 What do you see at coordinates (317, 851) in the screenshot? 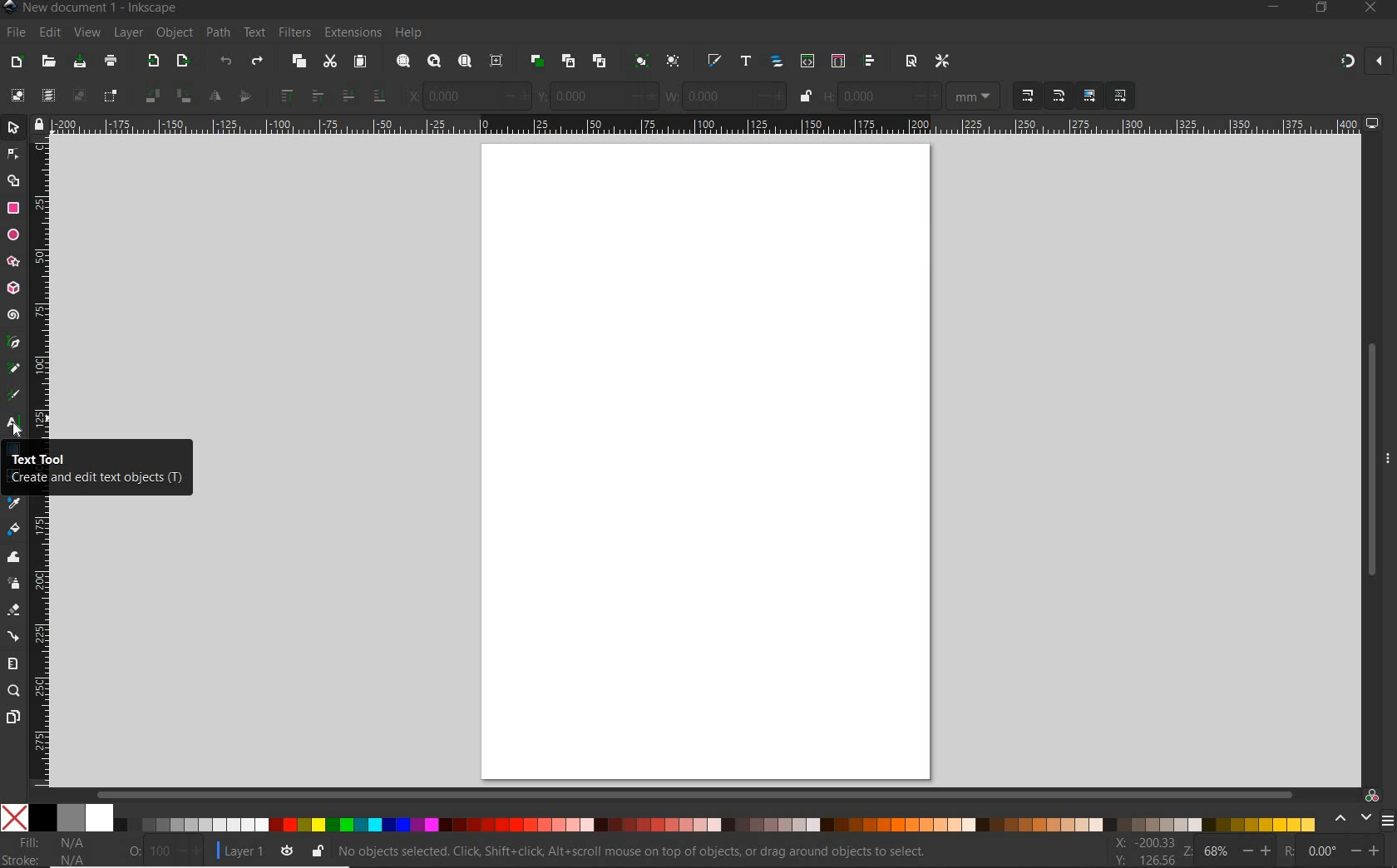
I see `lock or unlock` at bounding box center [317, 851].